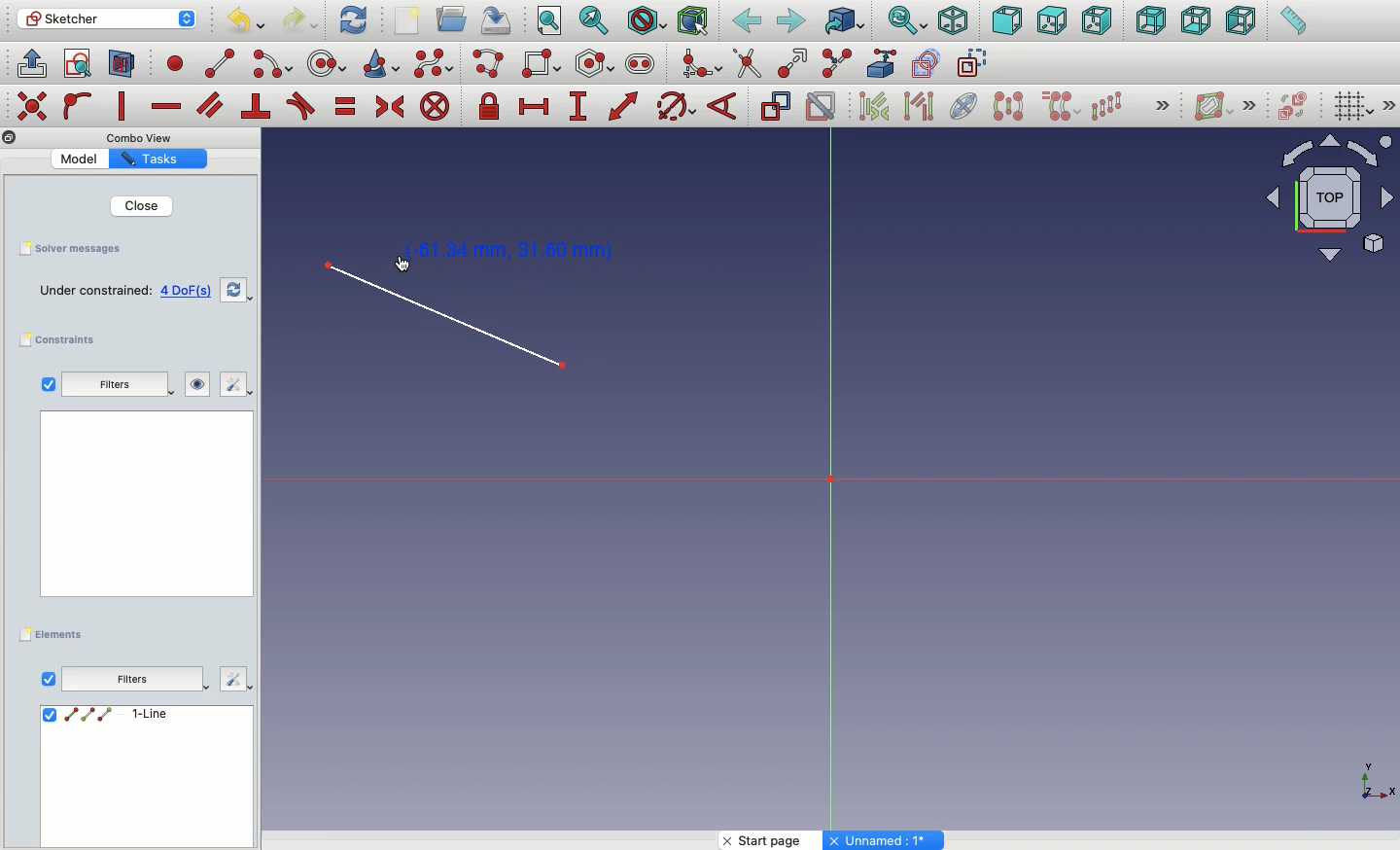  What do you see at coordinates (677, 106) in the screenshot?
I see `Constrain Circle` at bounding box center [677, 106].